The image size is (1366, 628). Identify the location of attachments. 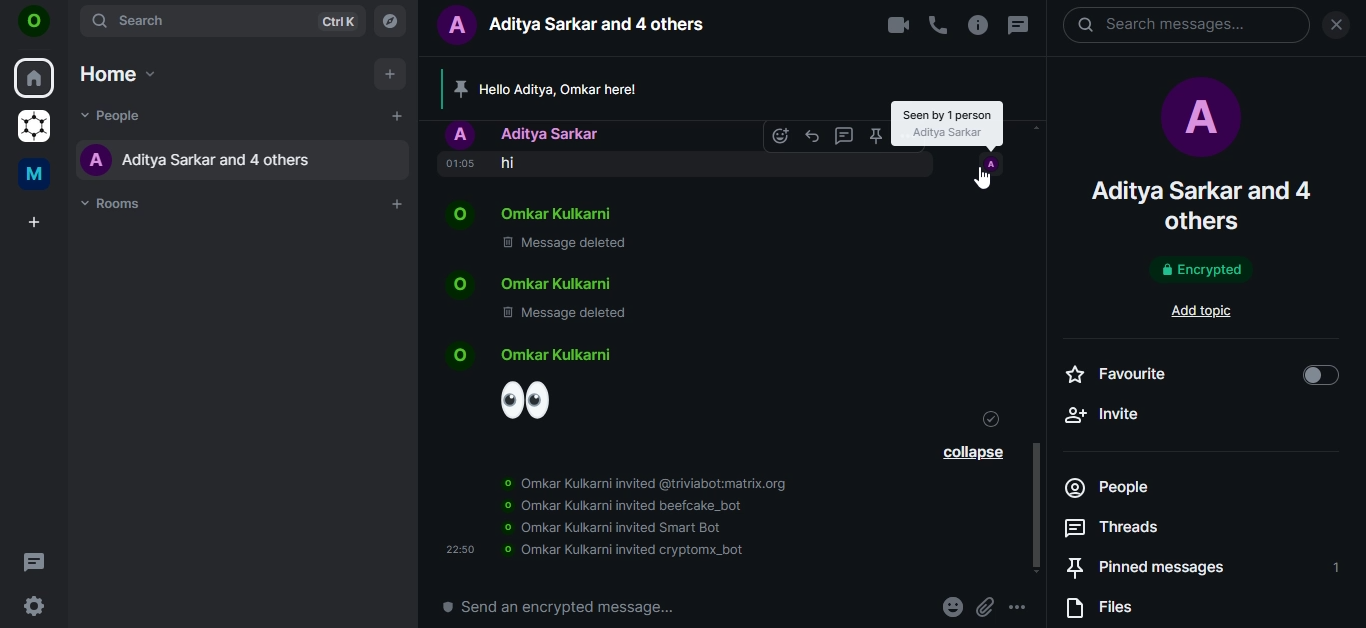
(989, 607).